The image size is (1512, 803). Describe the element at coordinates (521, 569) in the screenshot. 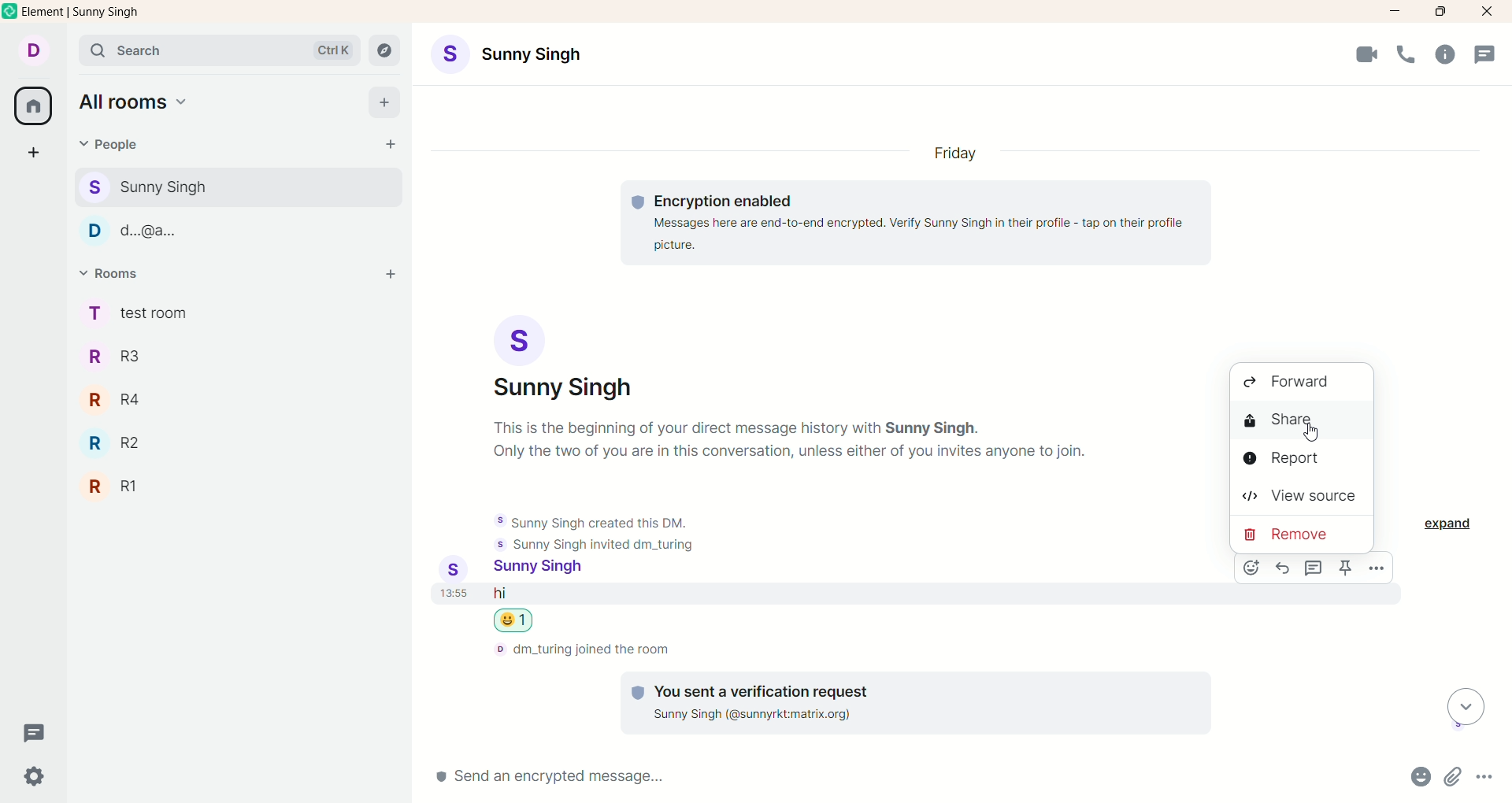

I see `account` at that location.